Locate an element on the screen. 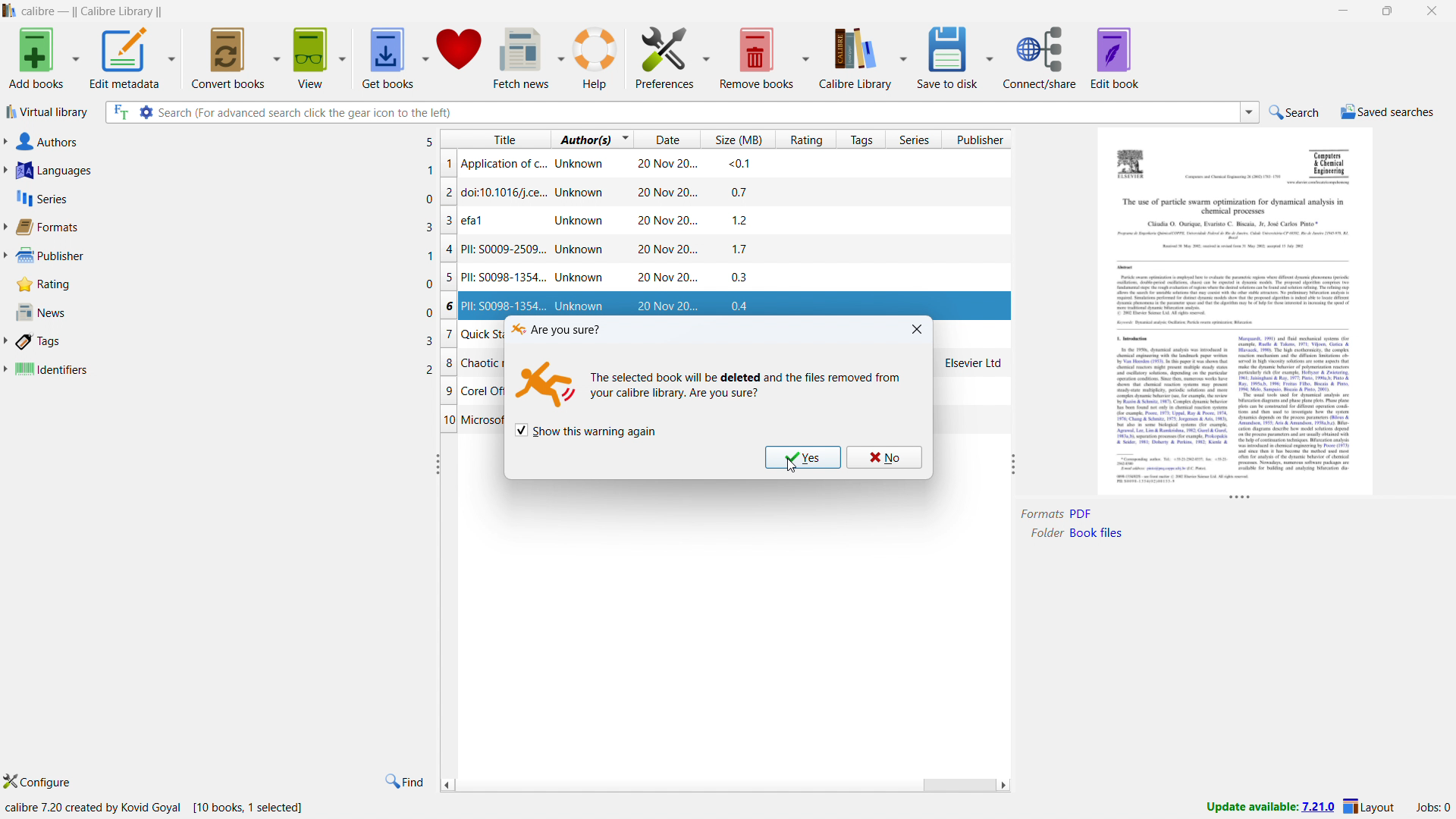 The height and width of the screenshot is (819, 1456). convert books options is located at coordinates (278, 57).